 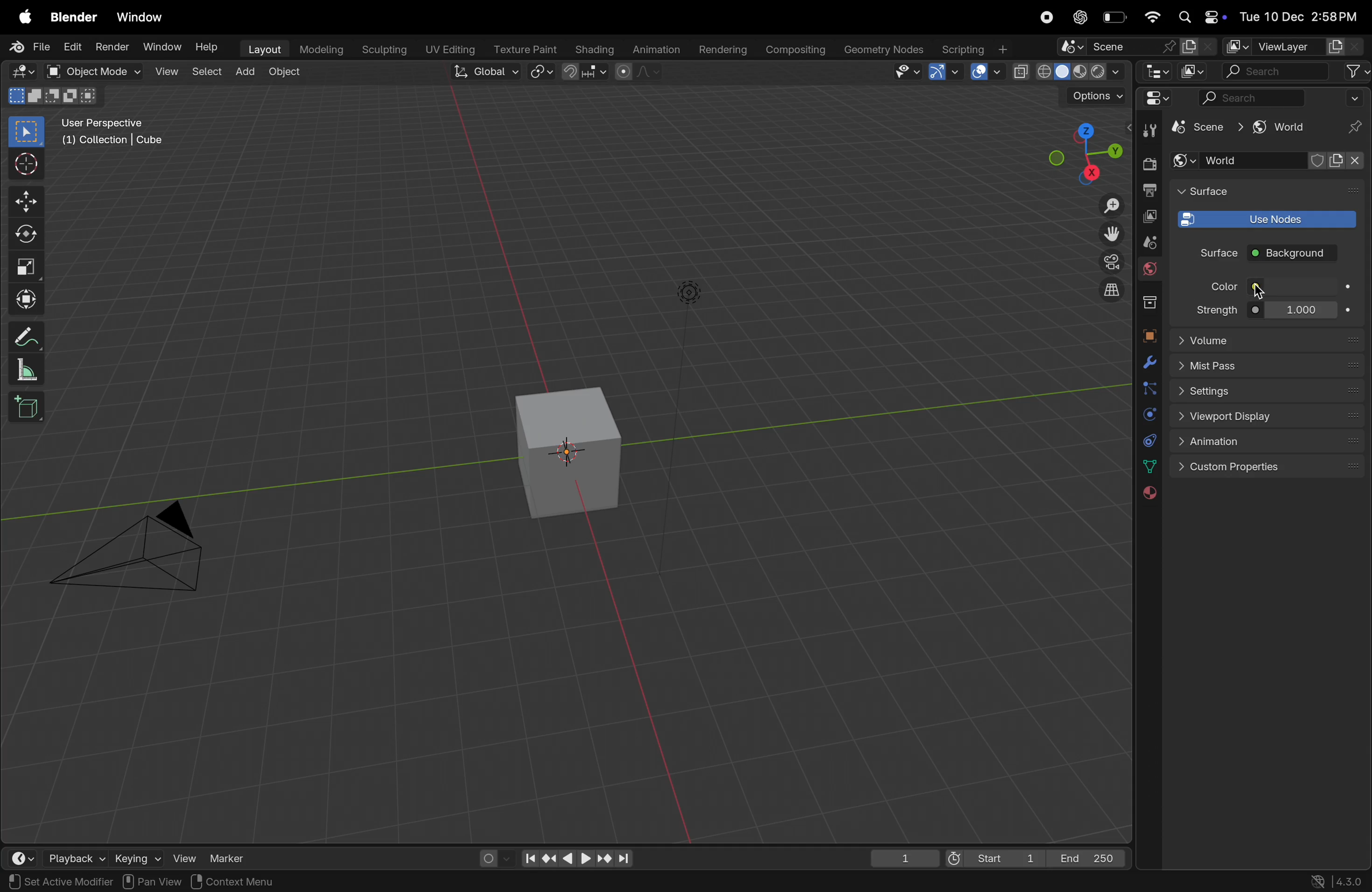 What do you see at coordinates (35, 880) in the screenshot?
I see `page view` at bounding box center [35, 880].